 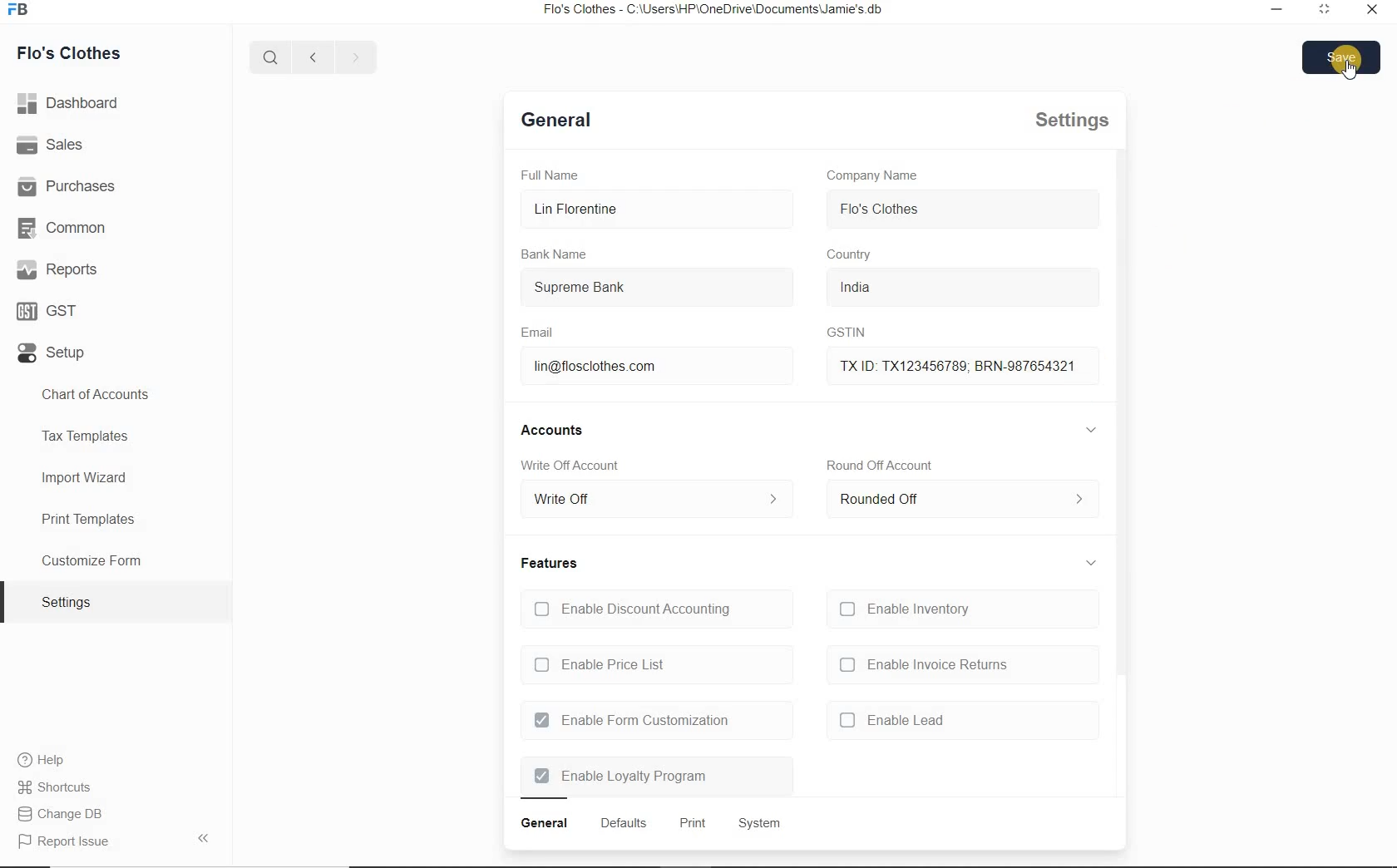 What do you see at coordinates (633, 289) in the screenshot?
I see `Supreme Bank` at bounding box center [633, 289].